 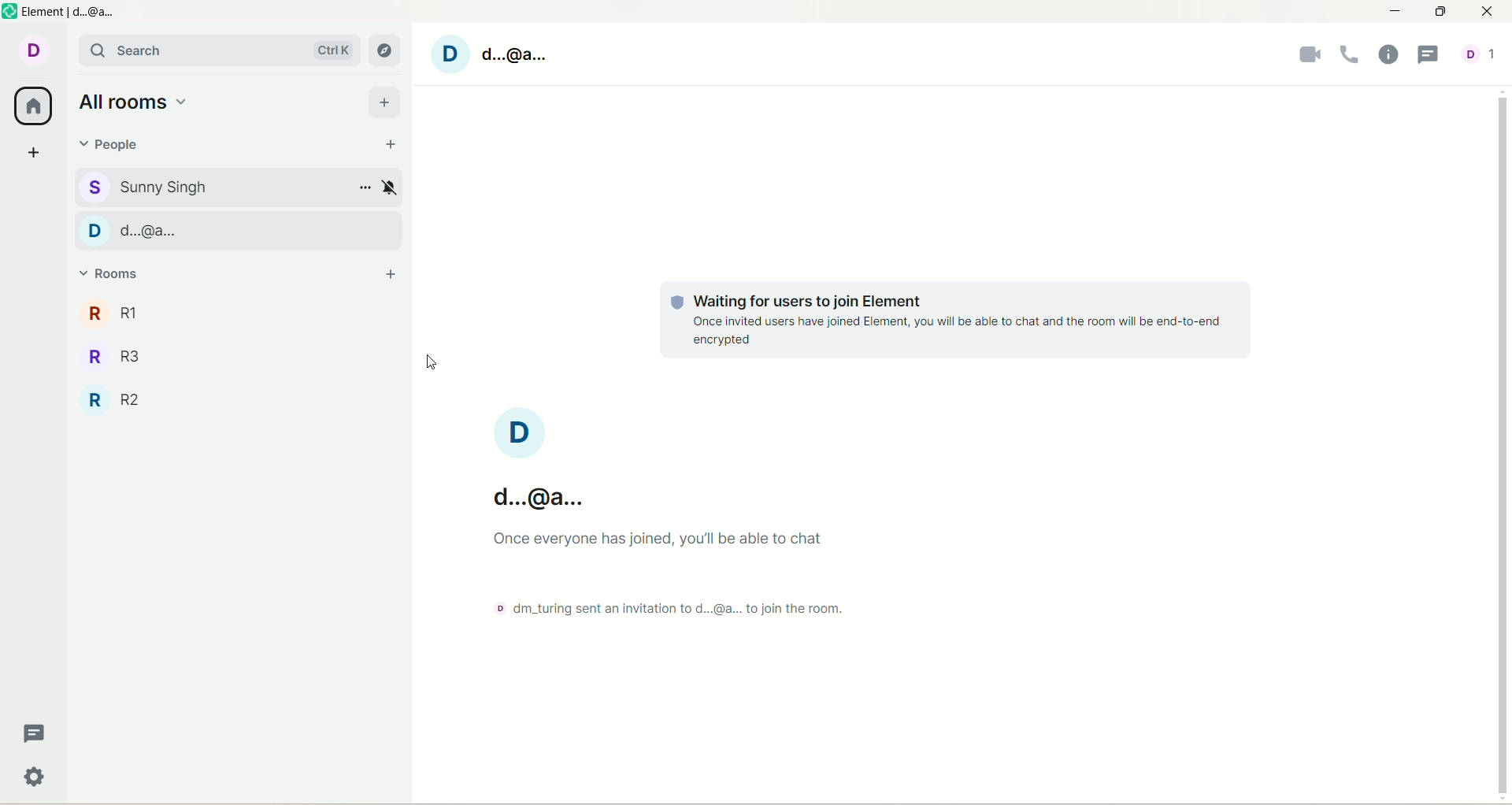 I want to click on add, so click(x=386, y=101).